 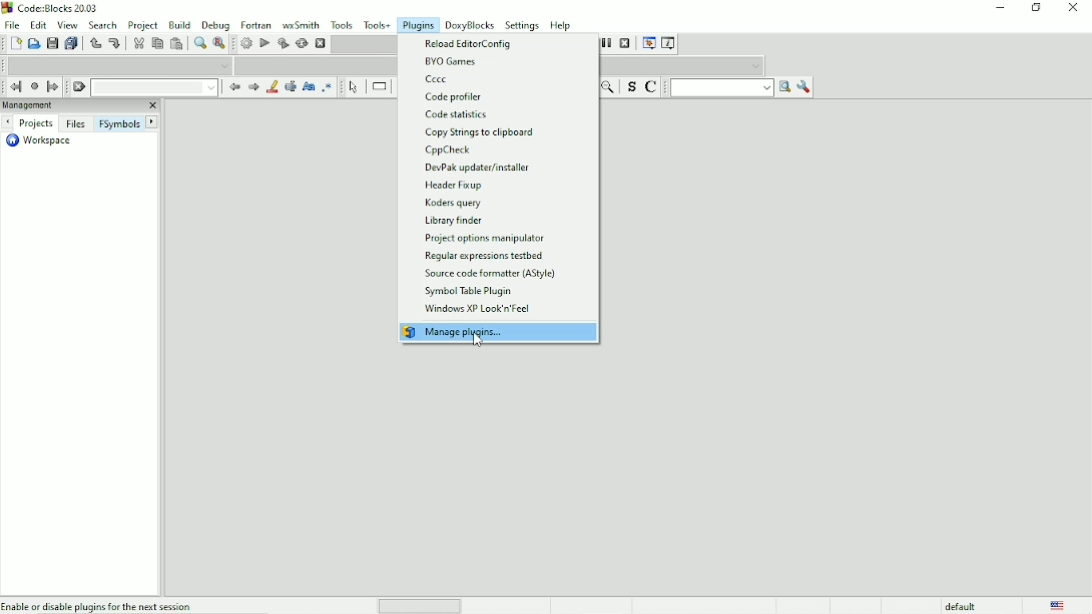 I want to click on Close, so click(x=151, y=106).